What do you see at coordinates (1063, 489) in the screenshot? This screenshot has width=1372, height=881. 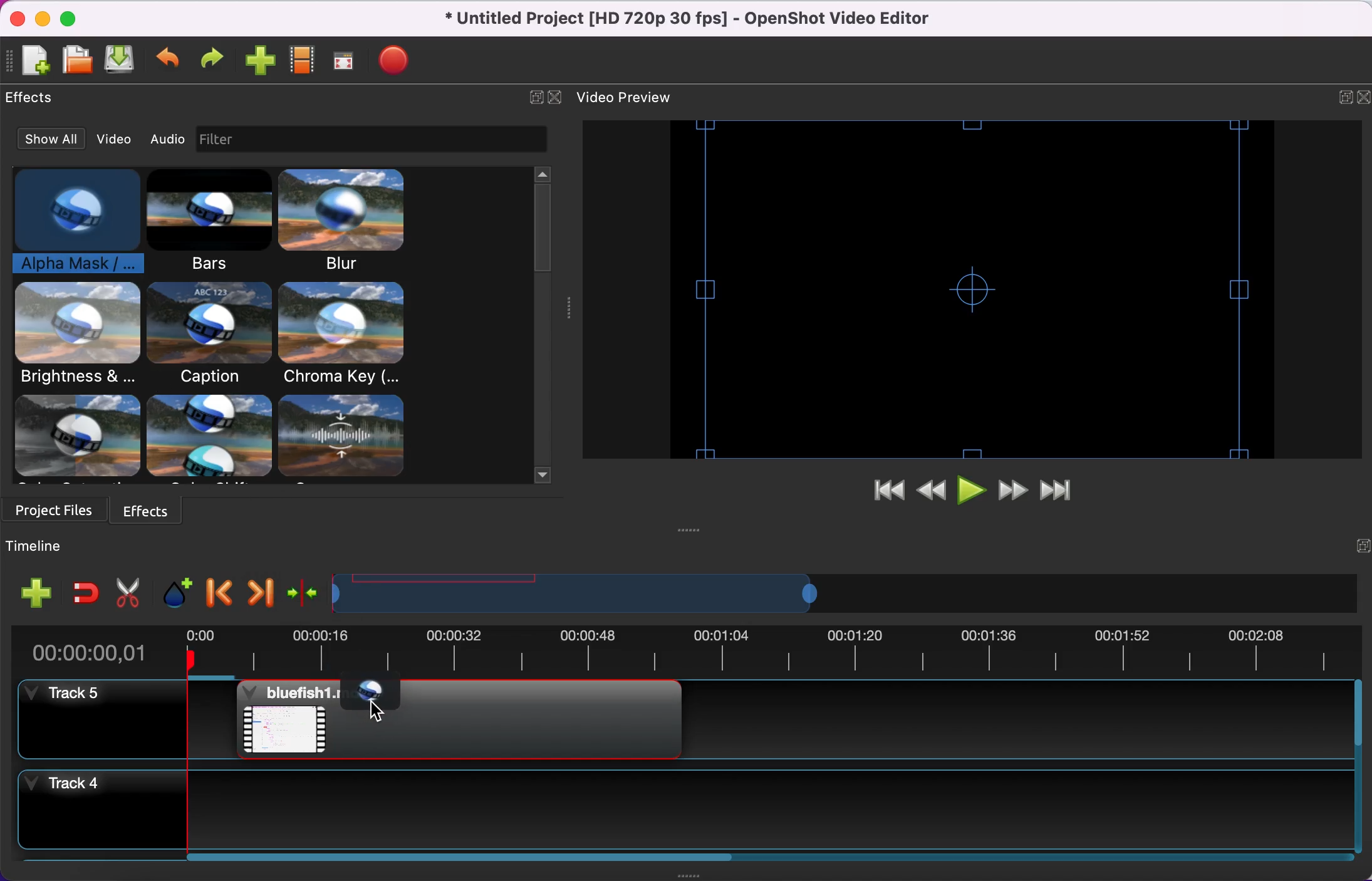 I see `jump to end` at bounding box center [1063, 489].